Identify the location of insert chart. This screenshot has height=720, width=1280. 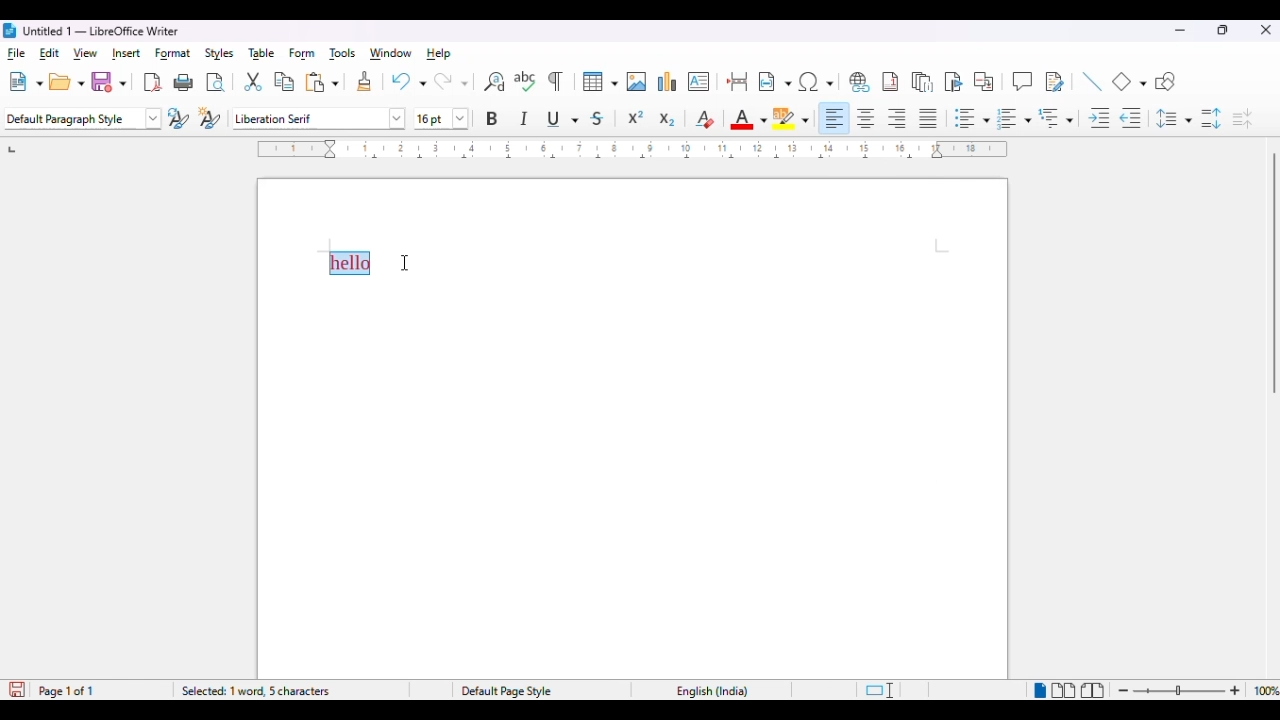
(668, 81).